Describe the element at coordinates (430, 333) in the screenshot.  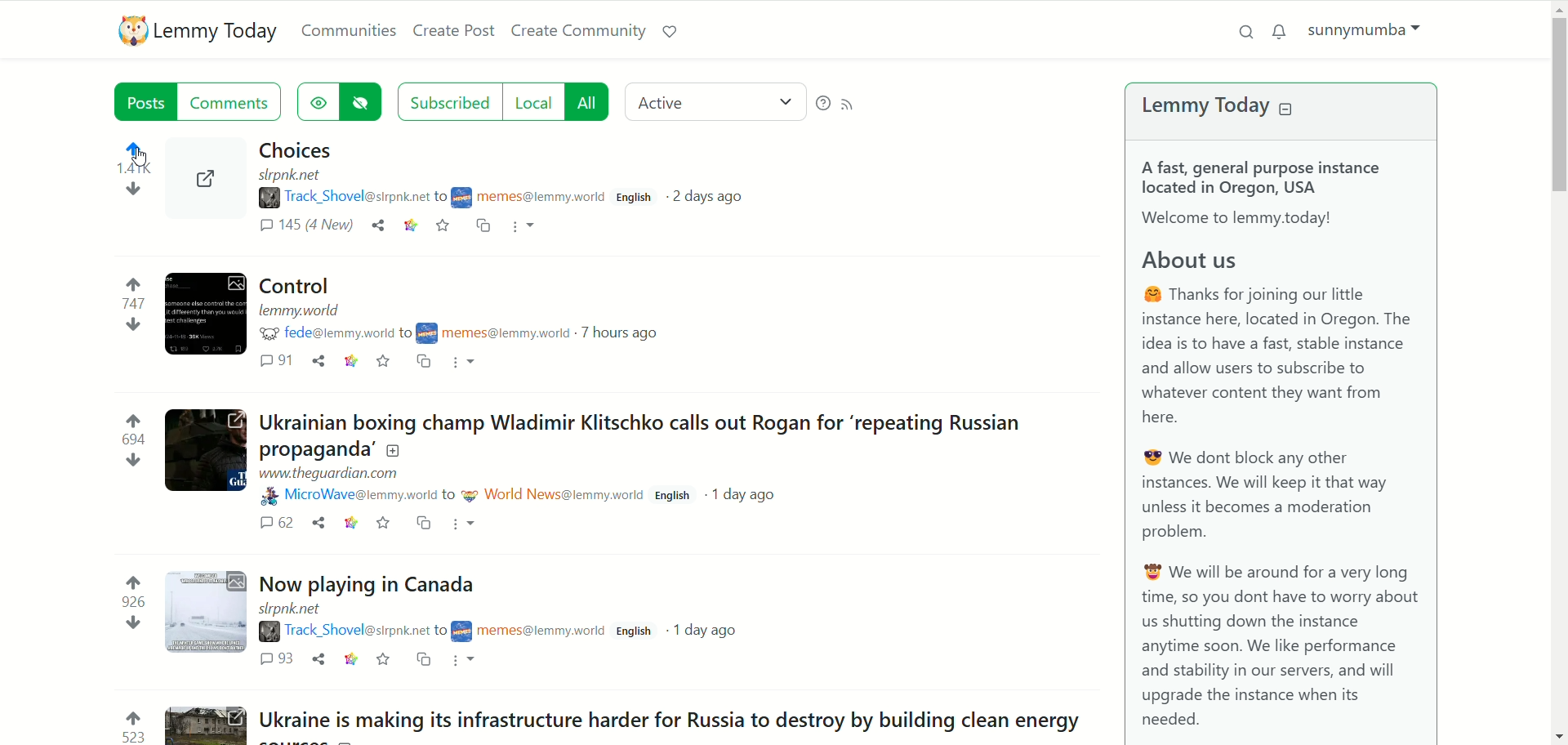
I see `poster image` at that location.